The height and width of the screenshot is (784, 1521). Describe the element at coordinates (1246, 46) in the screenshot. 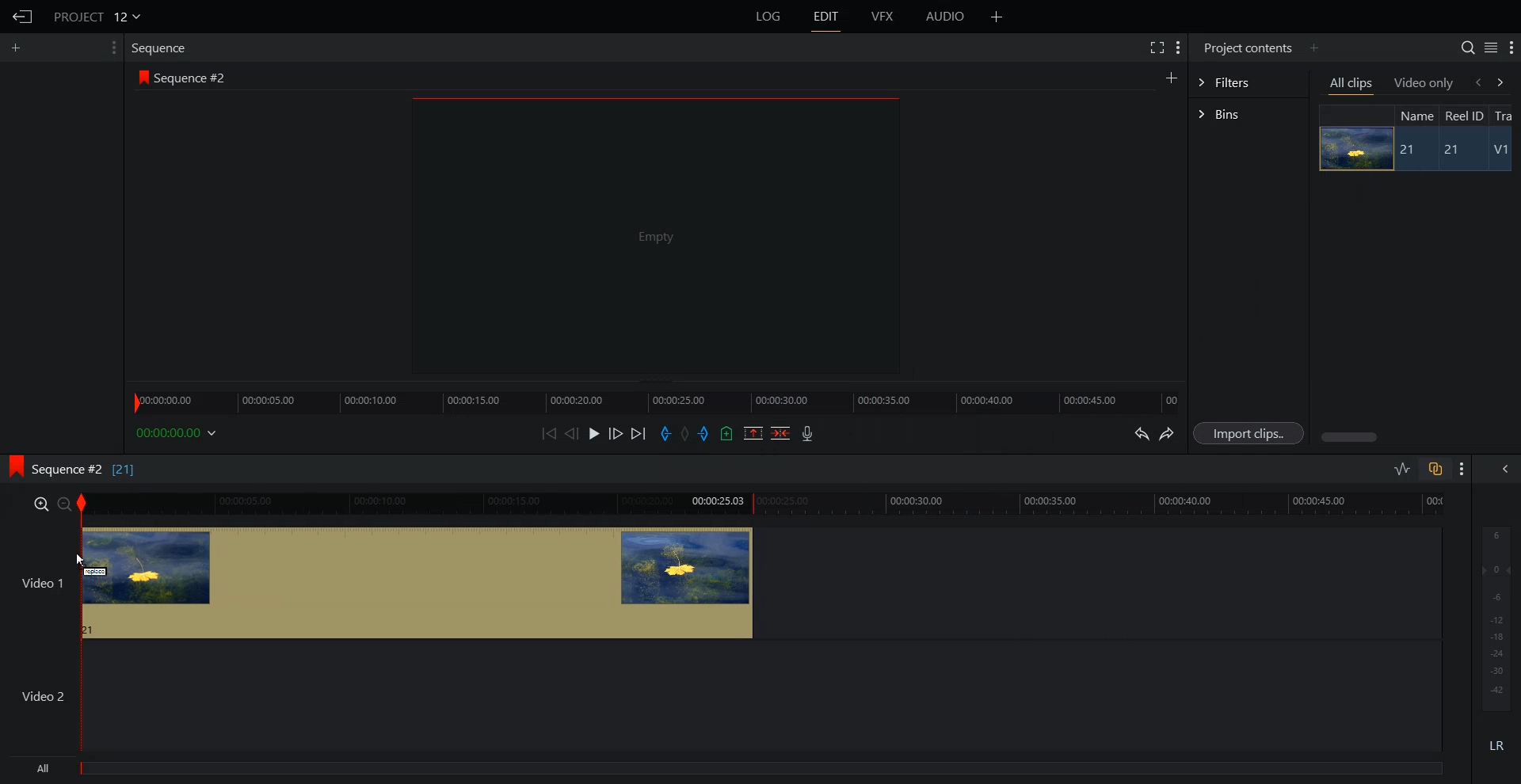

I see `Project contents` at that location.